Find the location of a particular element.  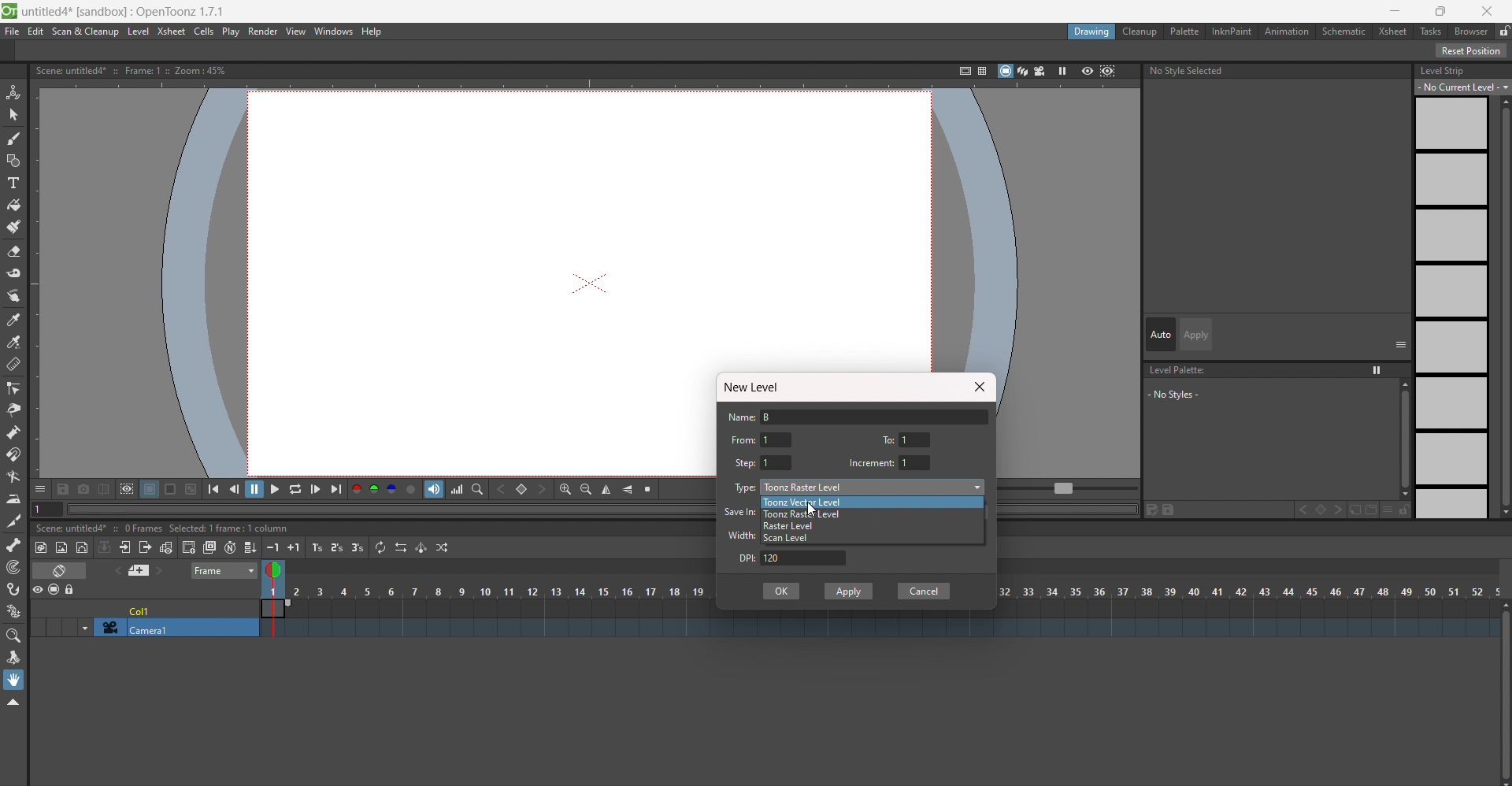

auto input cell number is located at coordinates (230, 547).